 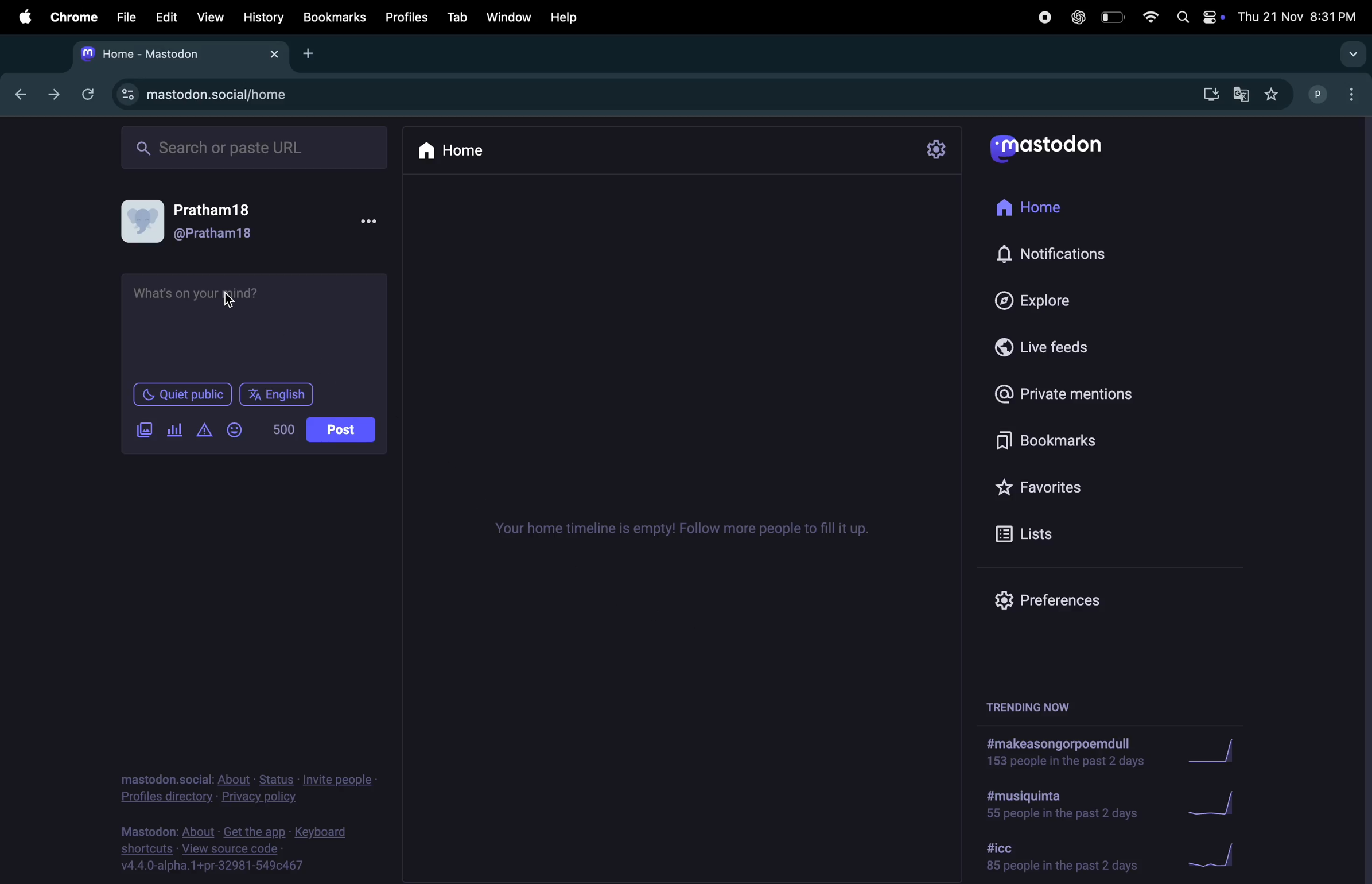 I want to click on privacy policy, so click(x=247, y=788).